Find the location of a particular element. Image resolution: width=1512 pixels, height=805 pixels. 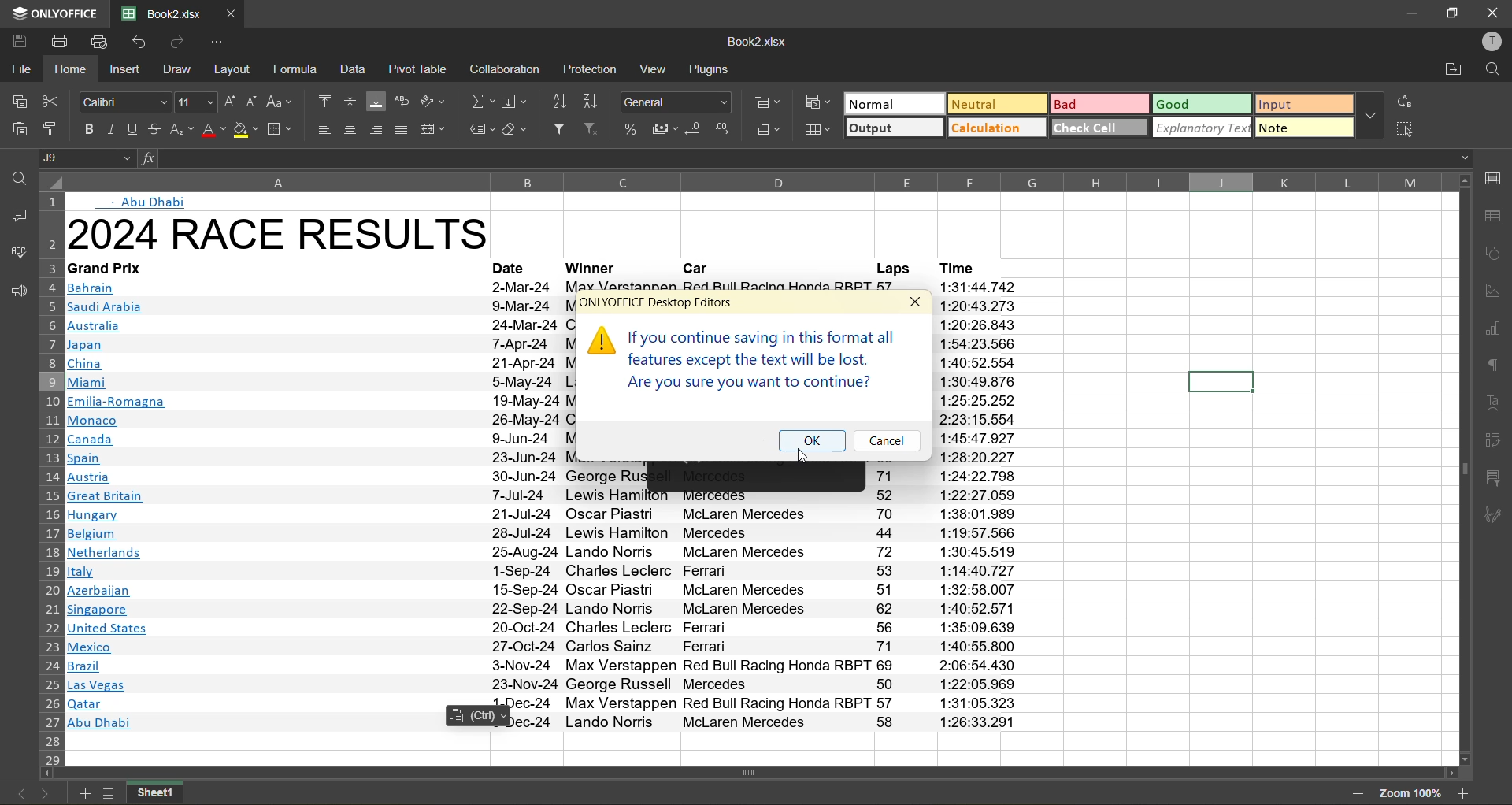

replace is located at coordinates (1408, 101).